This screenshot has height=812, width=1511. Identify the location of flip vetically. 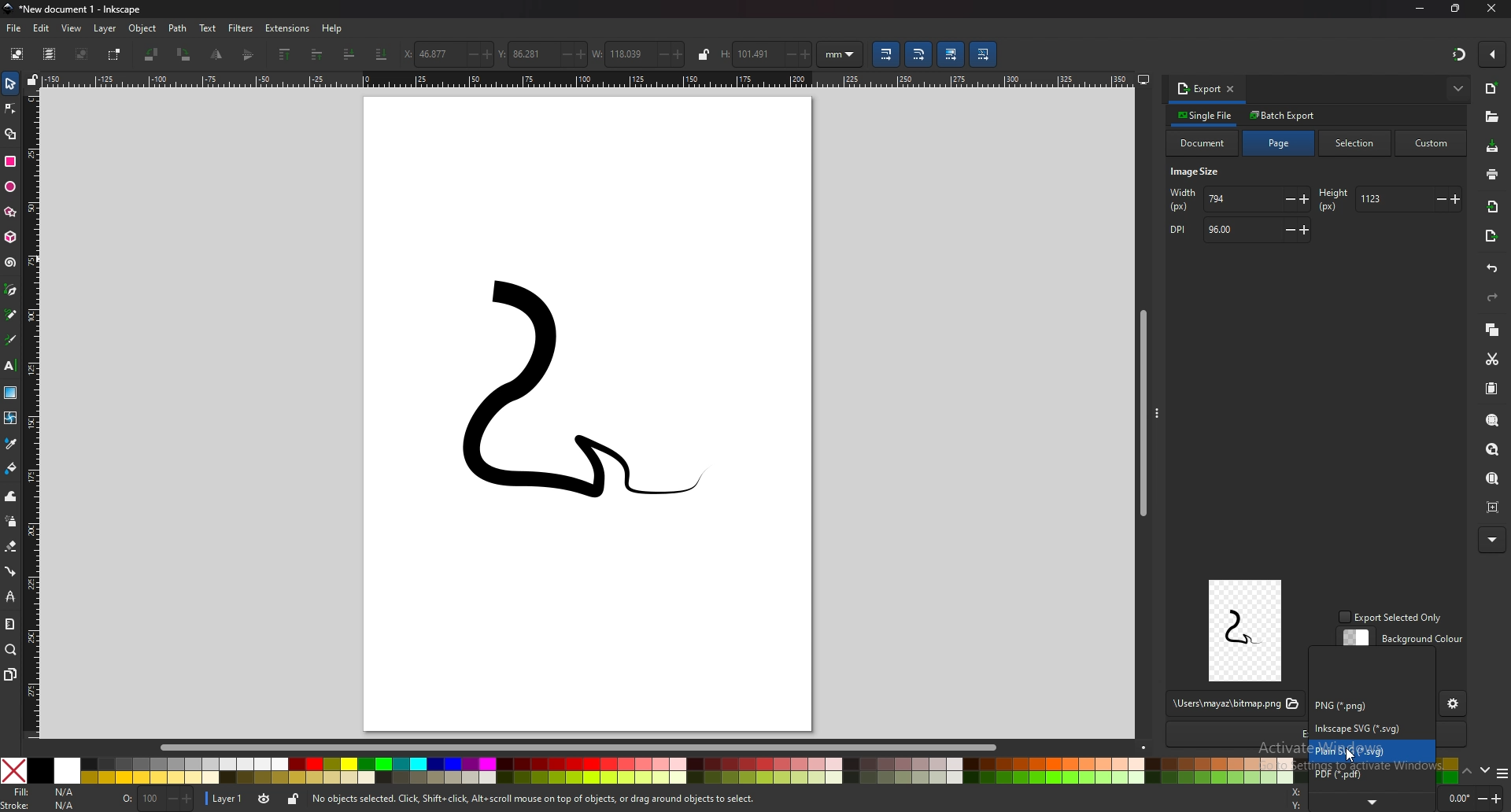
(218, 54).